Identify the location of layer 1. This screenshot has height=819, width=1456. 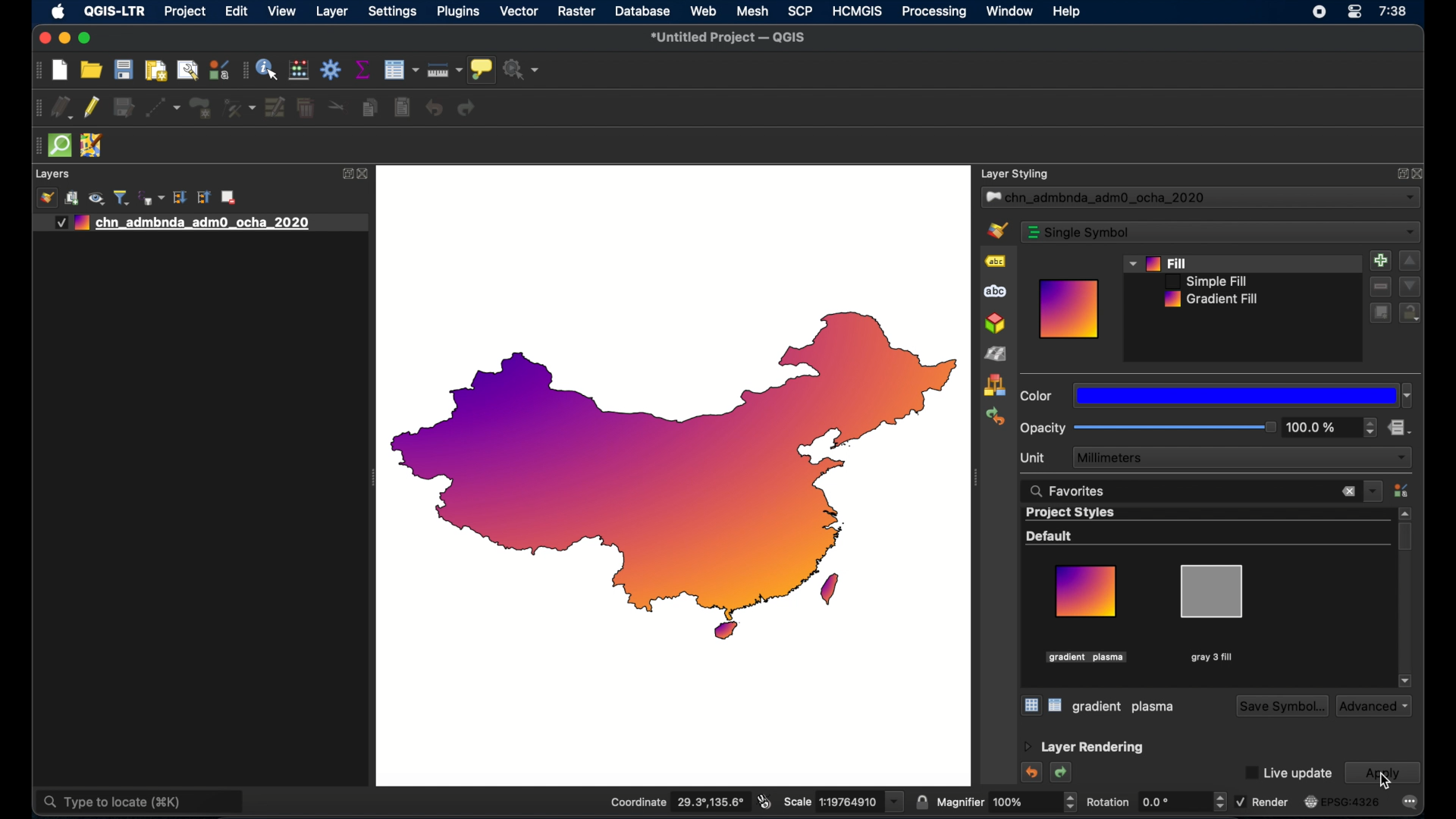
(200, 224).